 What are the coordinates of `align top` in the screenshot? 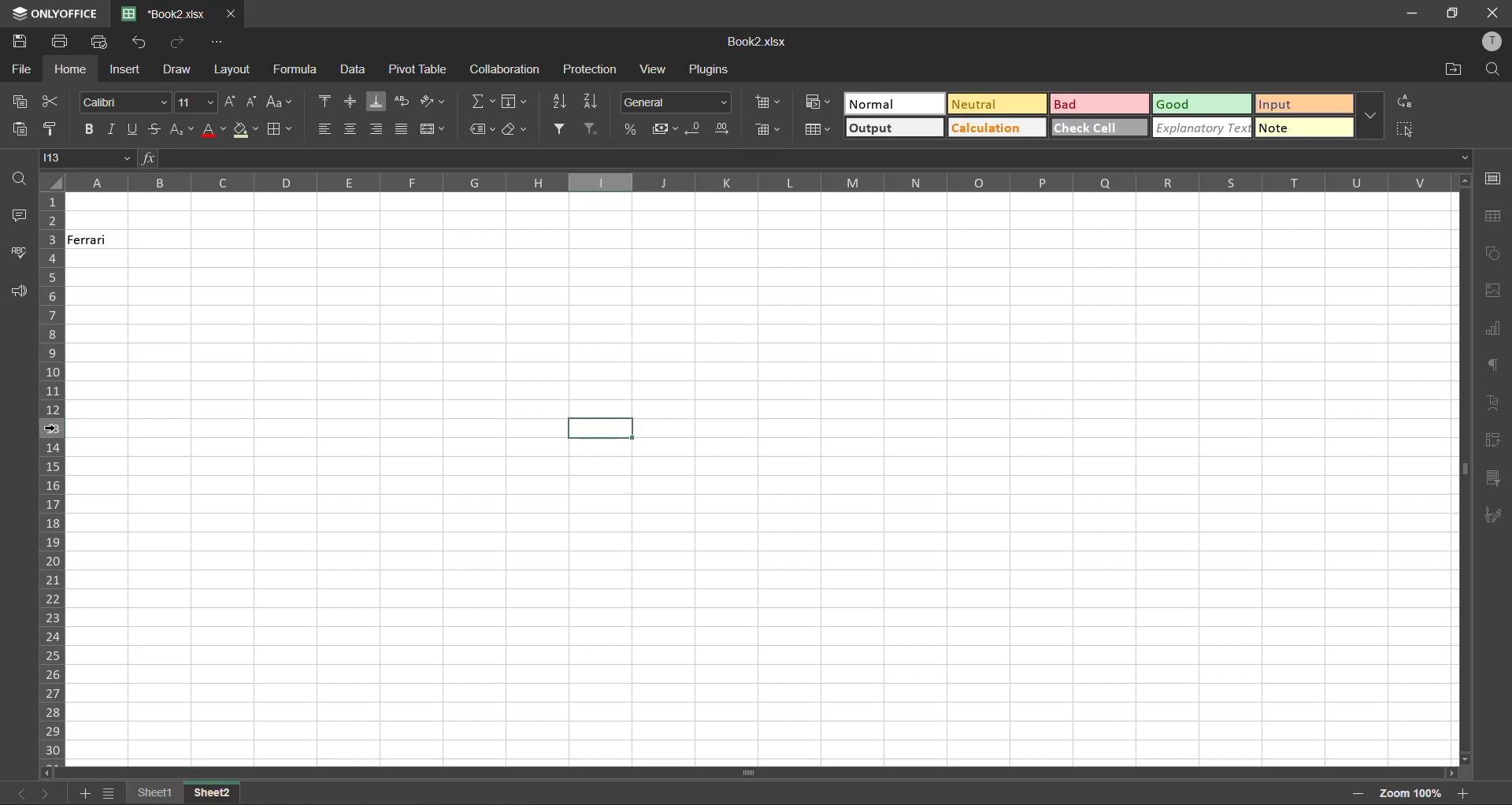 It's located at (328, 100).